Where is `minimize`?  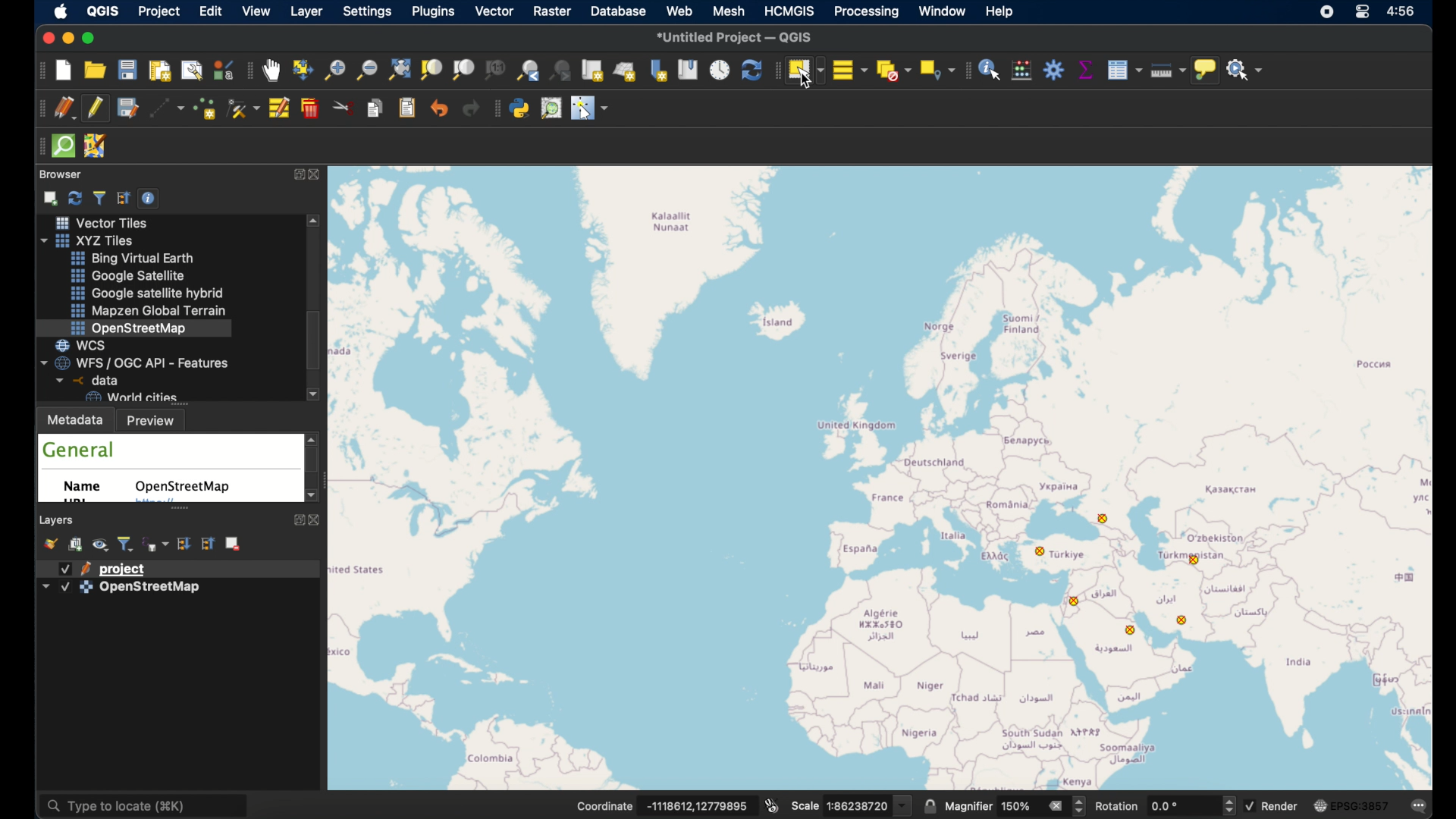 minimize is located at coordinates (67, 39).